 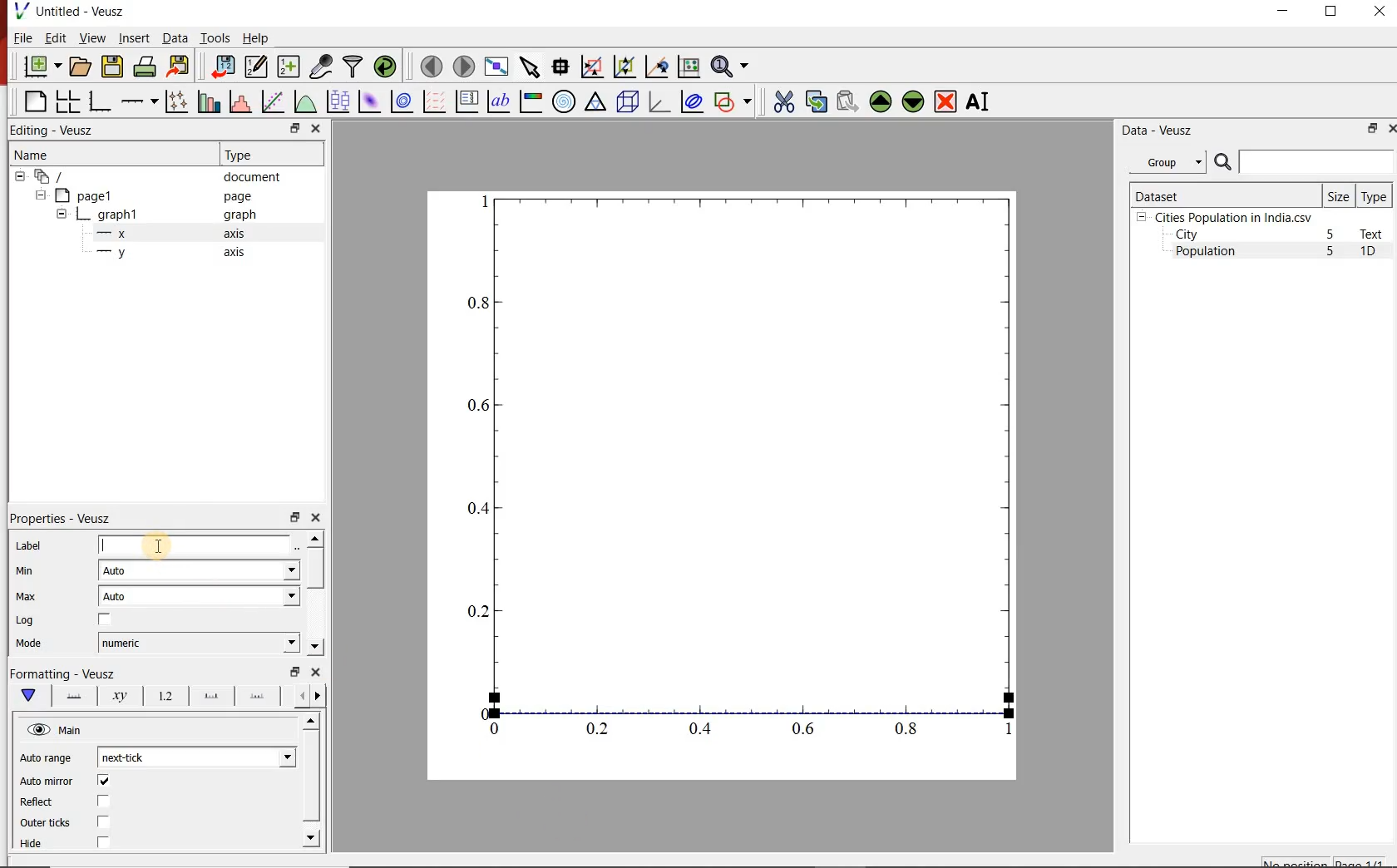 I want to click on save the document, so click(x=112, y=65).